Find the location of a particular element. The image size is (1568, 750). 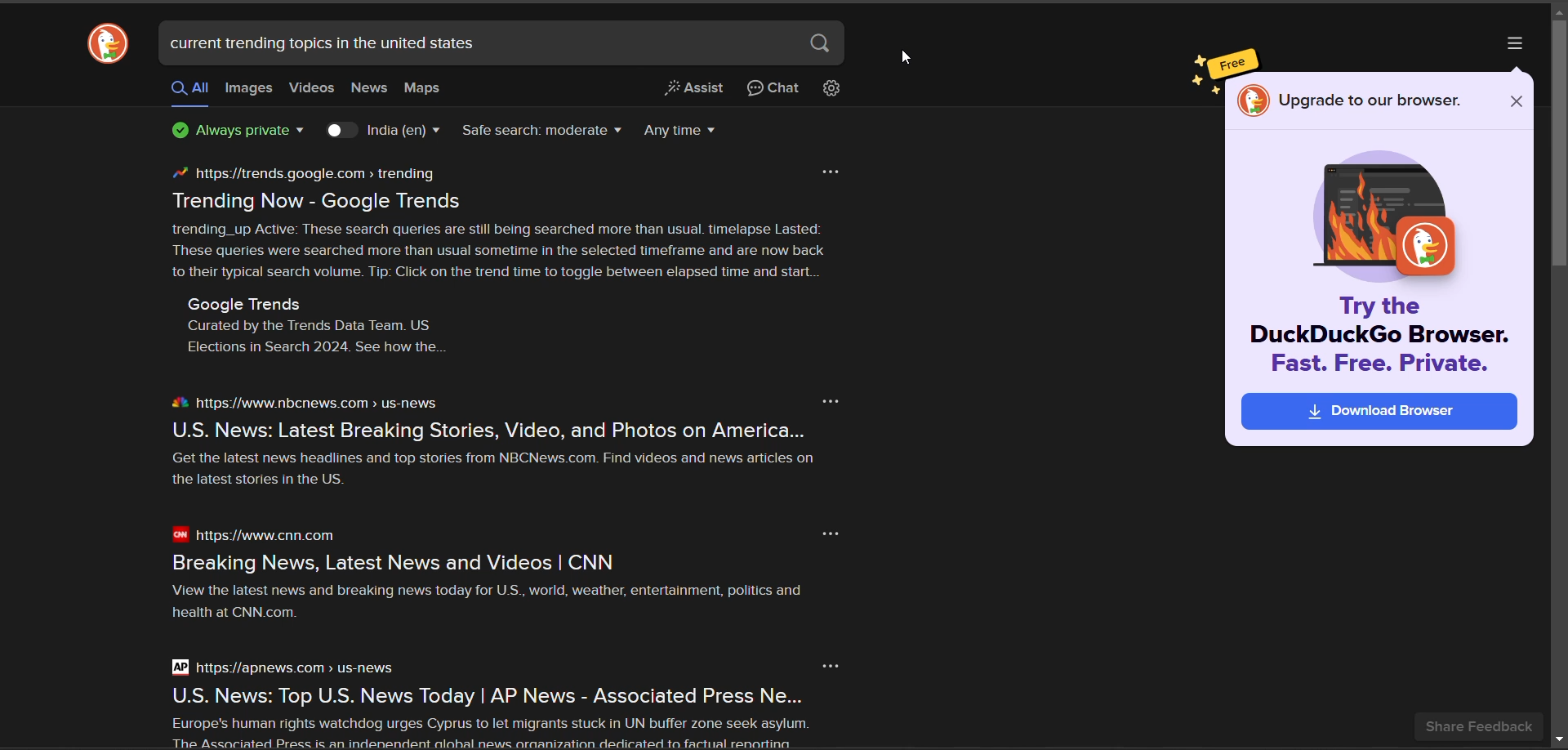

toggle country results key is located at coordinates (338, 132).